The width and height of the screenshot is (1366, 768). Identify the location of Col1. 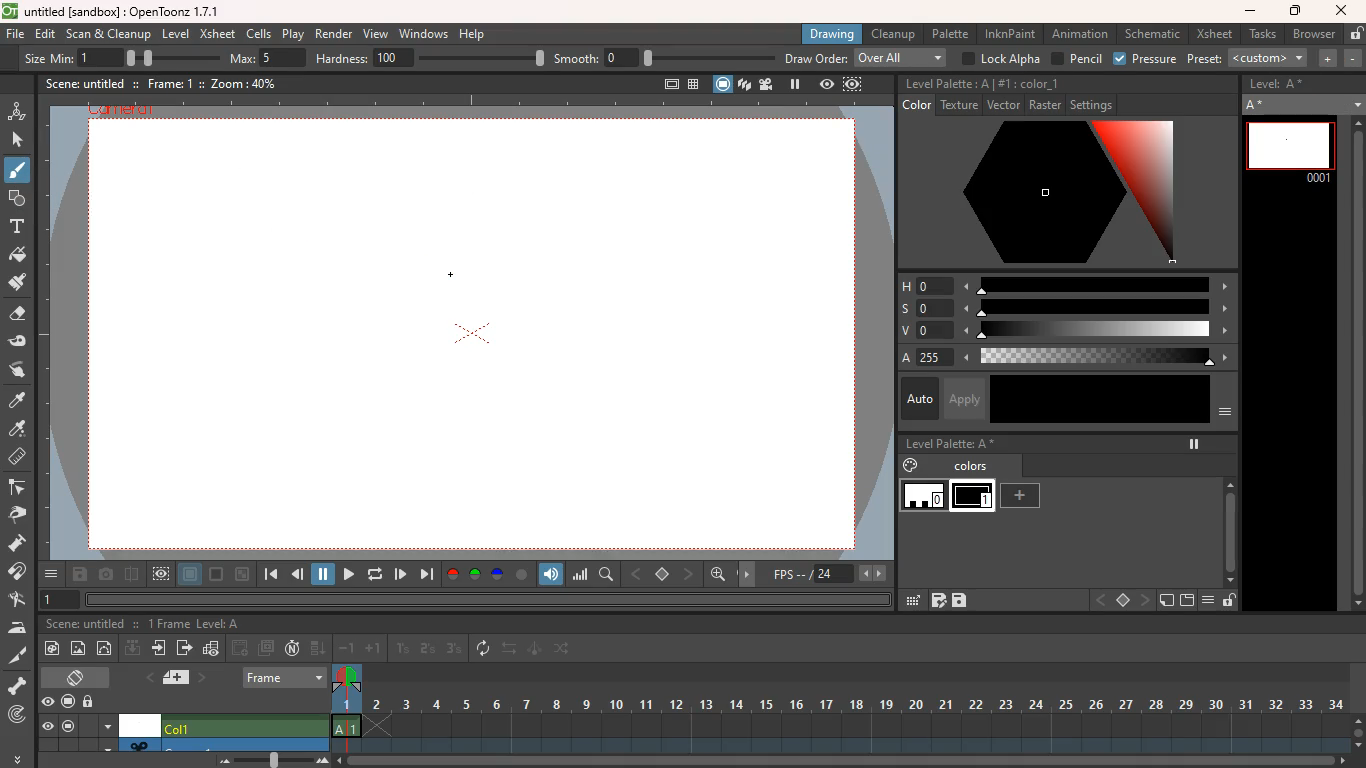
(244, 726).